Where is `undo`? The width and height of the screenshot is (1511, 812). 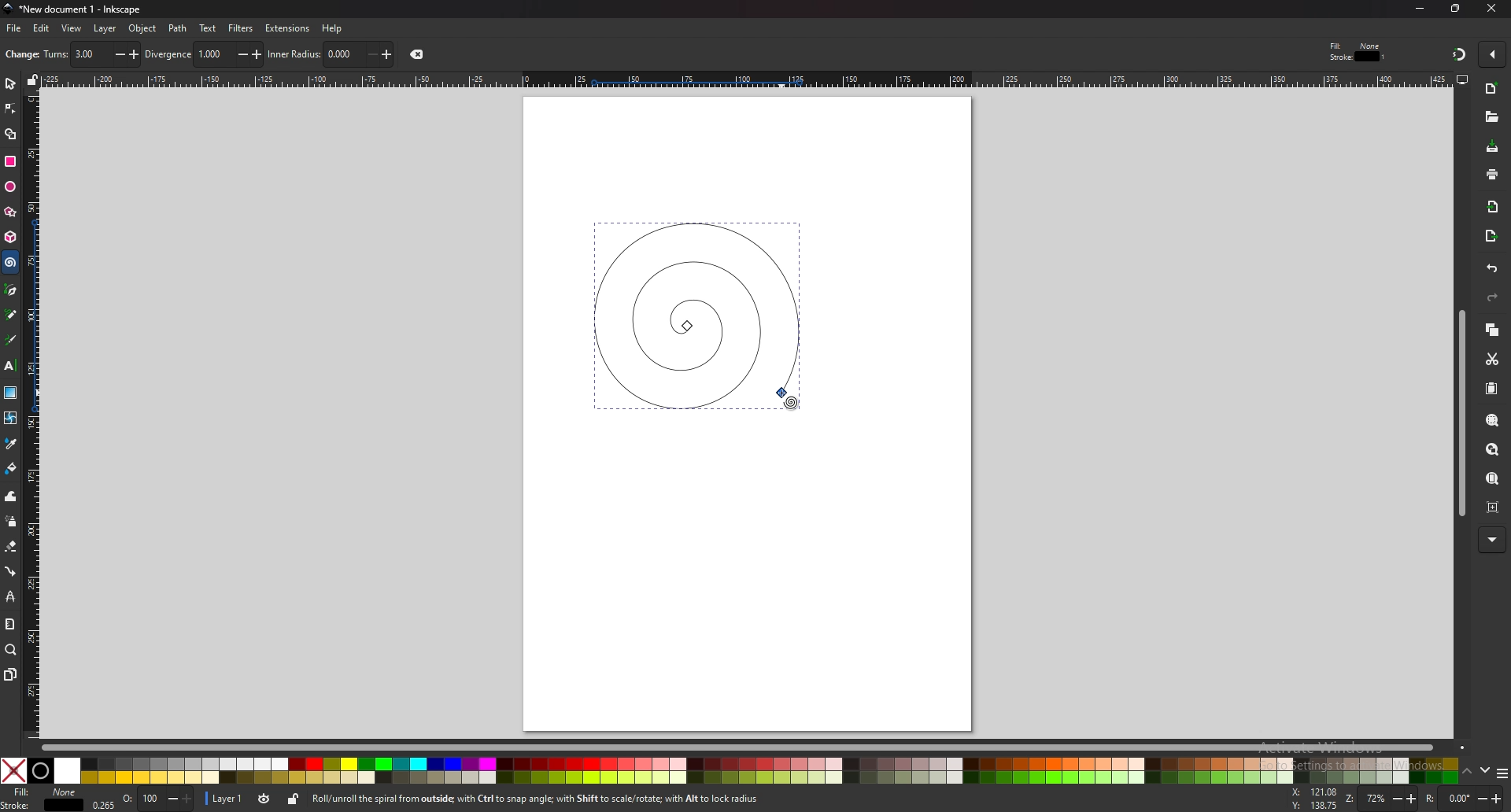
undo is located at coordinates (1492, 268).